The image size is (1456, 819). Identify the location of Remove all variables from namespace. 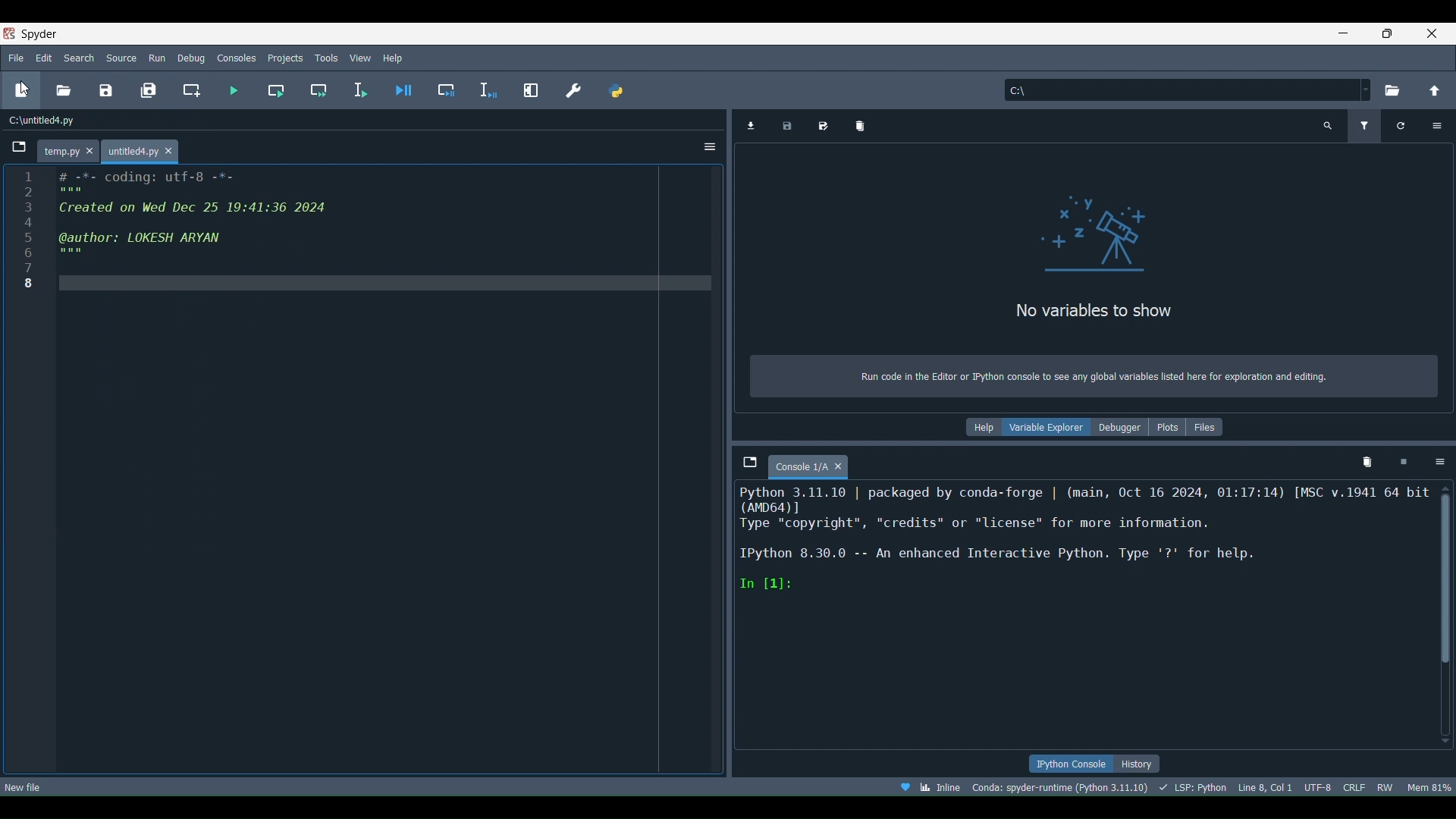
(1366, 460).